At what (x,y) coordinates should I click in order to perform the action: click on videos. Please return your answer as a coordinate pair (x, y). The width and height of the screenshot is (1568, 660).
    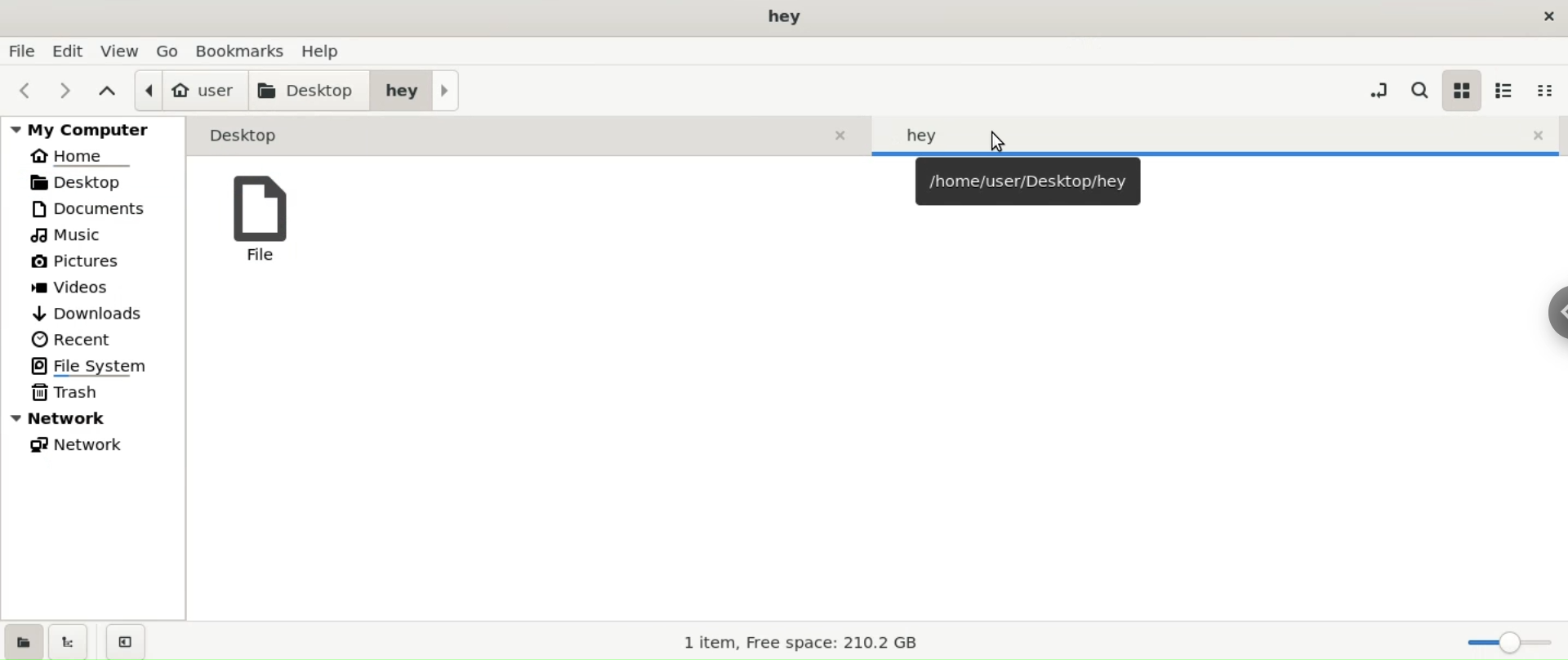
    Looking at the image, I should click on (98, 288).